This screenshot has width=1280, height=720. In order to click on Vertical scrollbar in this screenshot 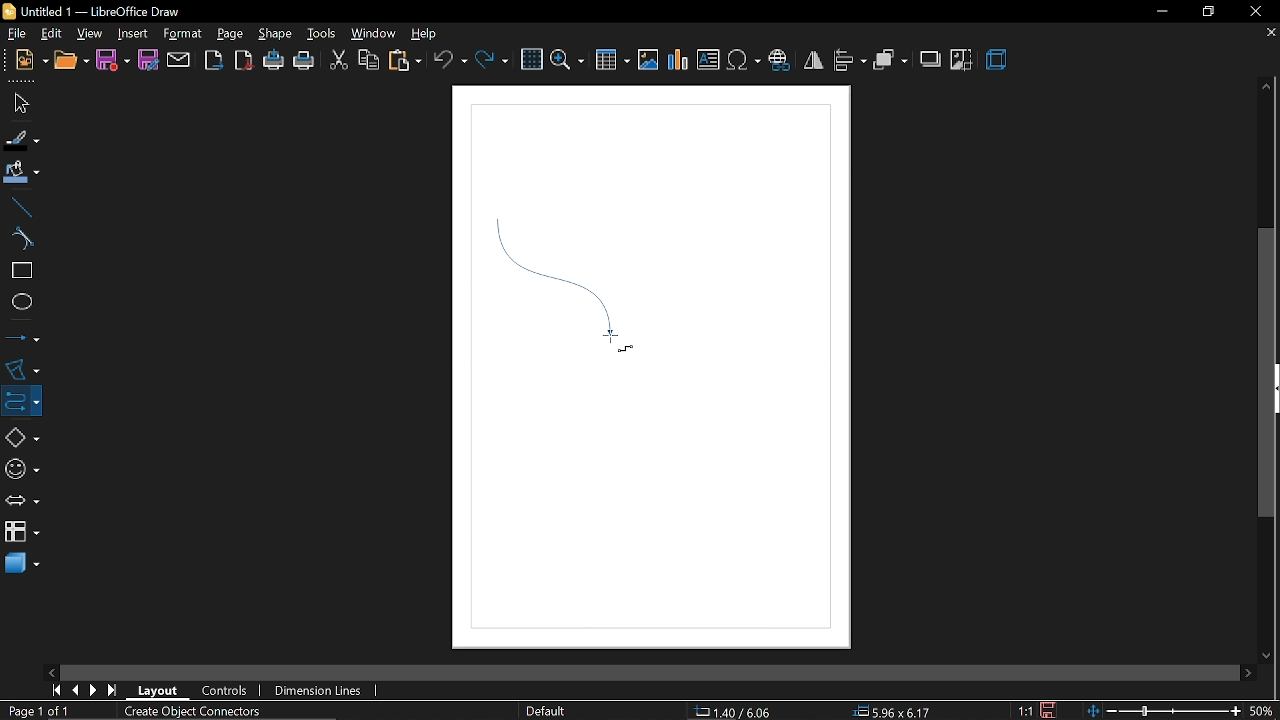, I will do `click(1267, 374)`.